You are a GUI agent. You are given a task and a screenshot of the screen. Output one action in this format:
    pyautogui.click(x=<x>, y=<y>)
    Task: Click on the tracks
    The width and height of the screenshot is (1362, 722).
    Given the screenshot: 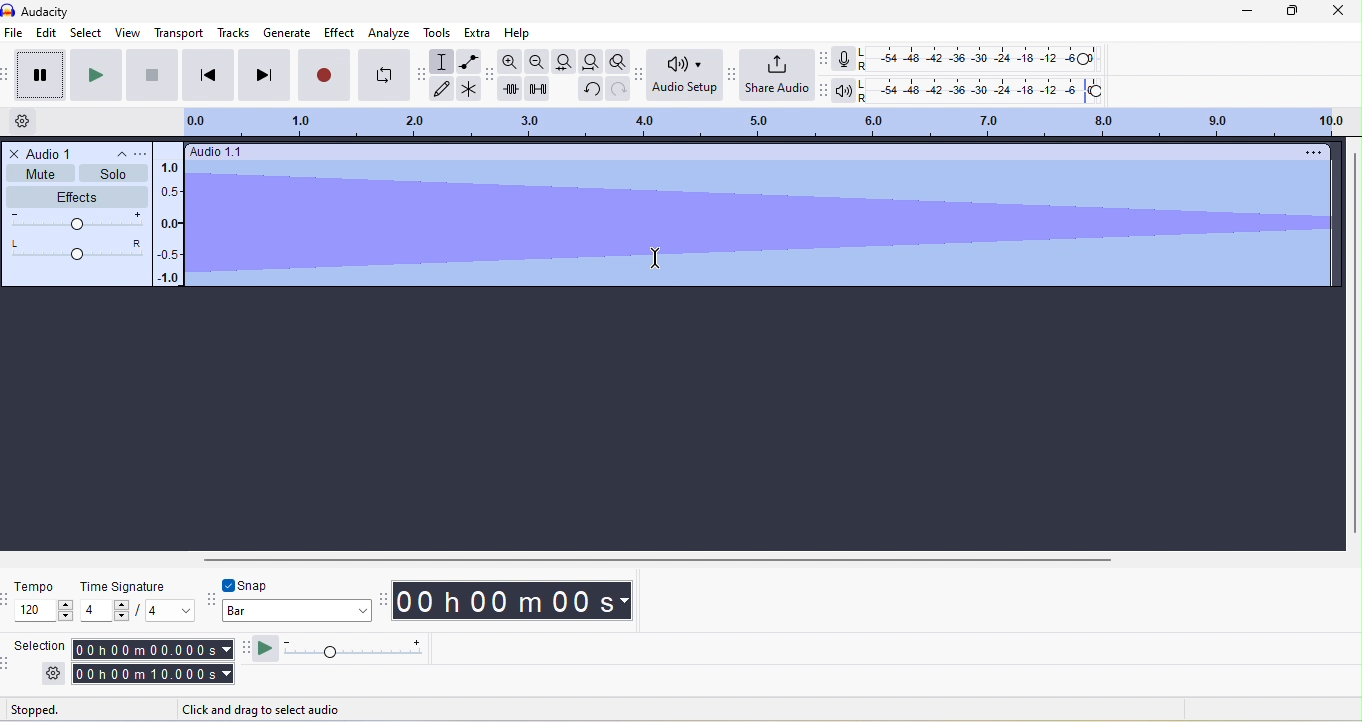 What is the action you would take?
    pyautogui.click(x=233, y=33)
    